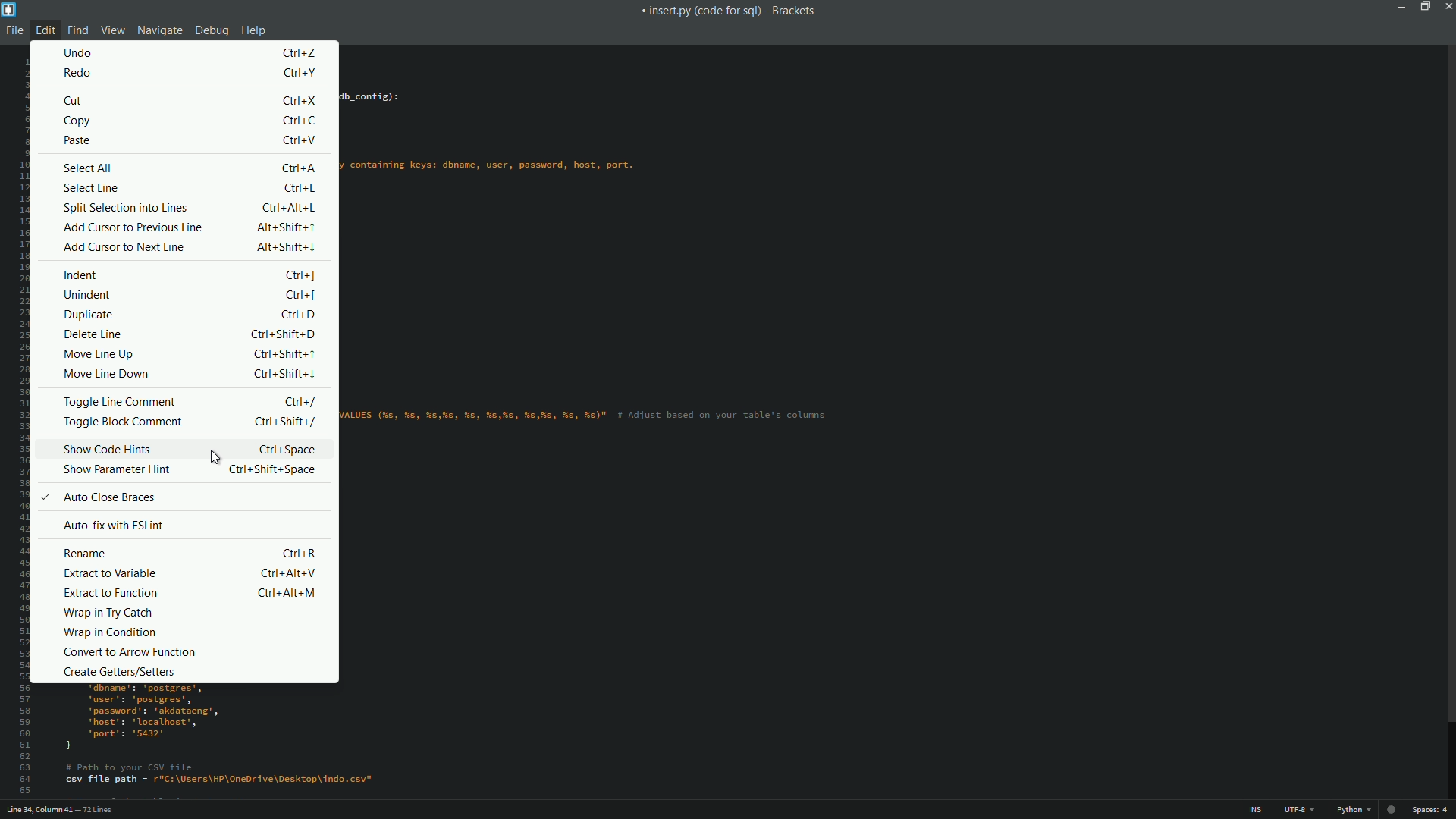 This screenshot has width=1456, height=819. I want to click on extract to variable, so click(110, 574).